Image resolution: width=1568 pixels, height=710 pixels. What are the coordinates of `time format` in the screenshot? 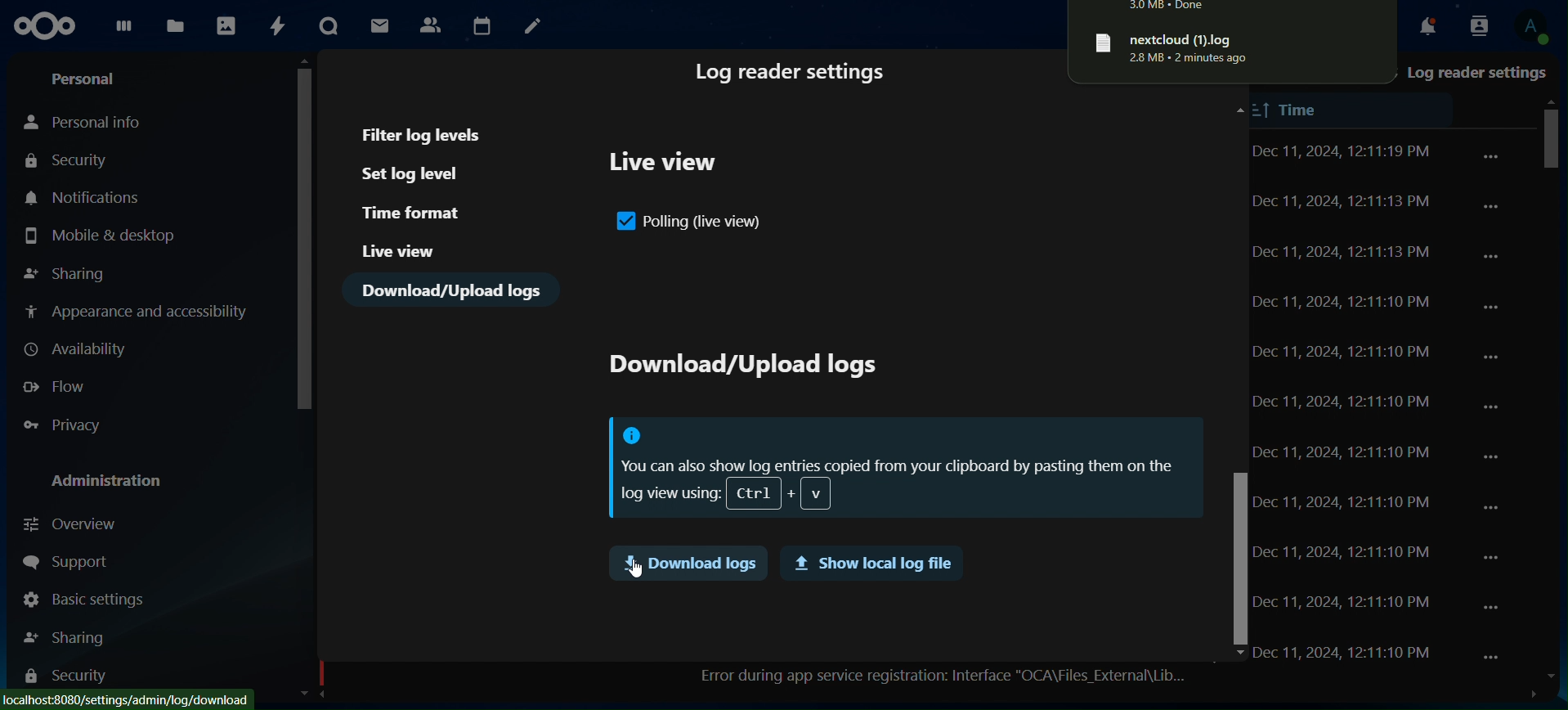 It's located at (414, 213).